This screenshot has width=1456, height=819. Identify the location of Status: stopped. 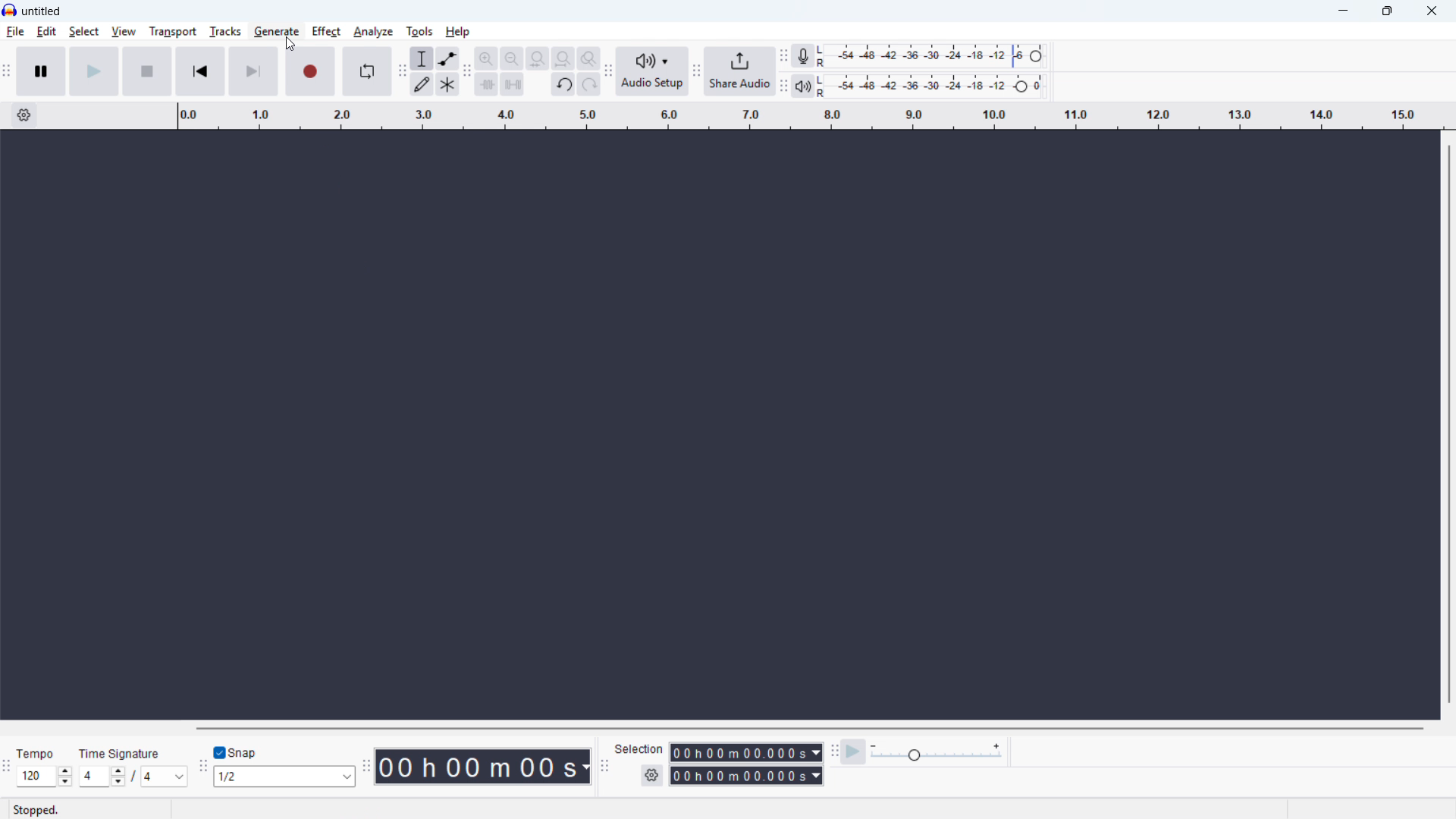
(39, 809).